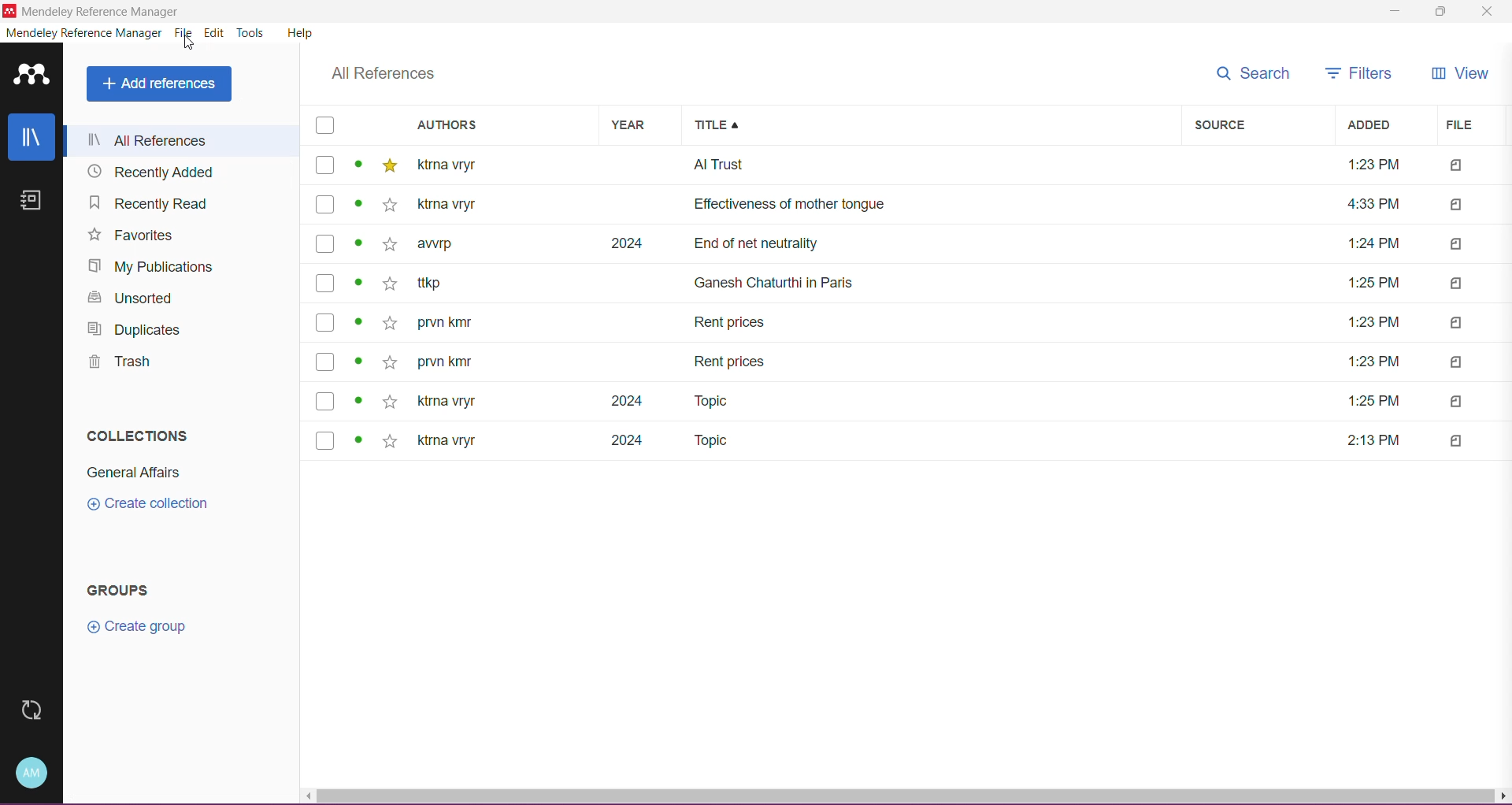 The width and height of the screenshot is (1512, 805). What do you see at coordinates (149, 266) in the screenshot?
I see `My Publications` at bounding box center [149, 266].